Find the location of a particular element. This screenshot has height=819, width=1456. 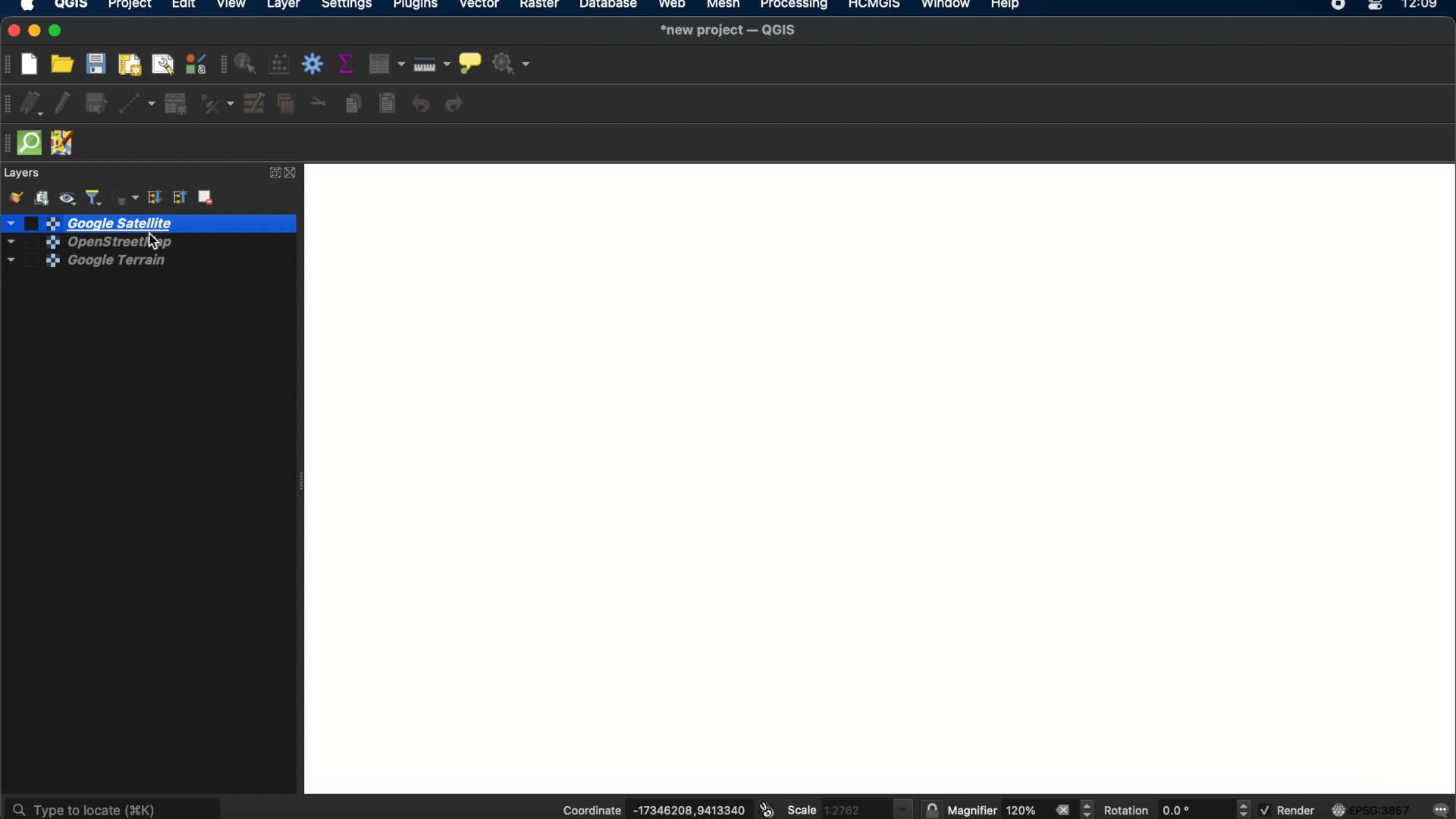

EPSG:3857 is located at coordinates (1374, 809).